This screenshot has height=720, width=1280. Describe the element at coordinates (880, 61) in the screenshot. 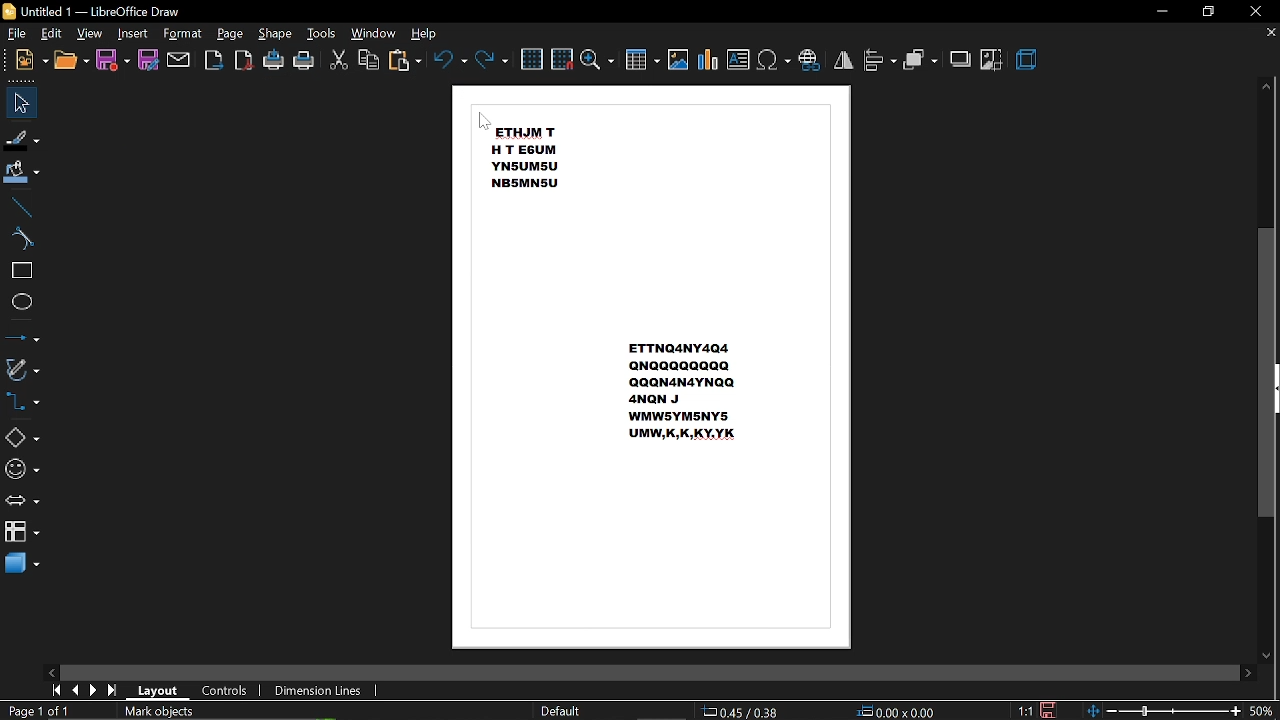

I see `align` at that location.